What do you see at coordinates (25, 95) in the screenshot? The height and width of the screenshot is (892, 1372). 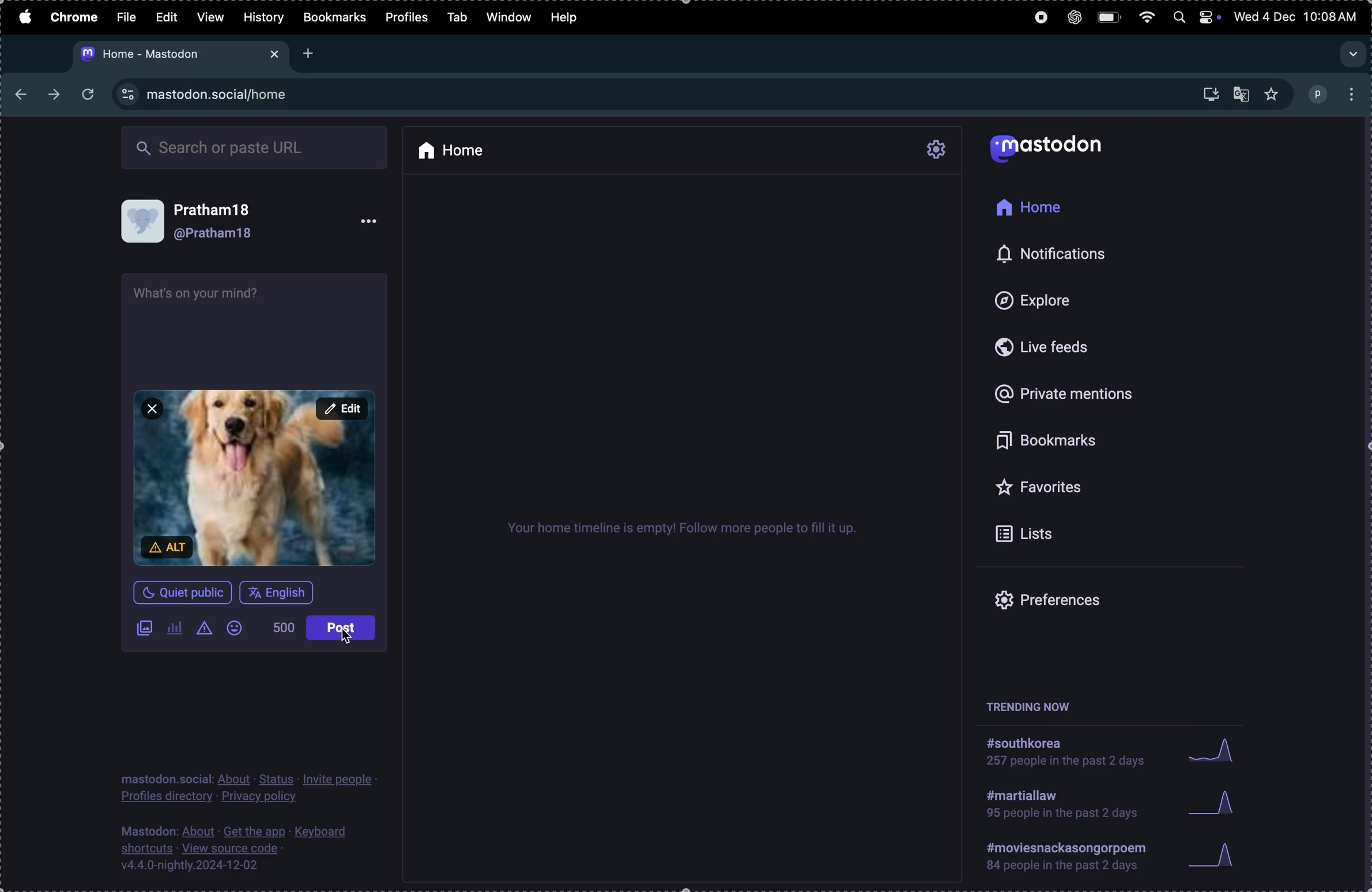 I see `previous tab` at bounding box center [25, 95].